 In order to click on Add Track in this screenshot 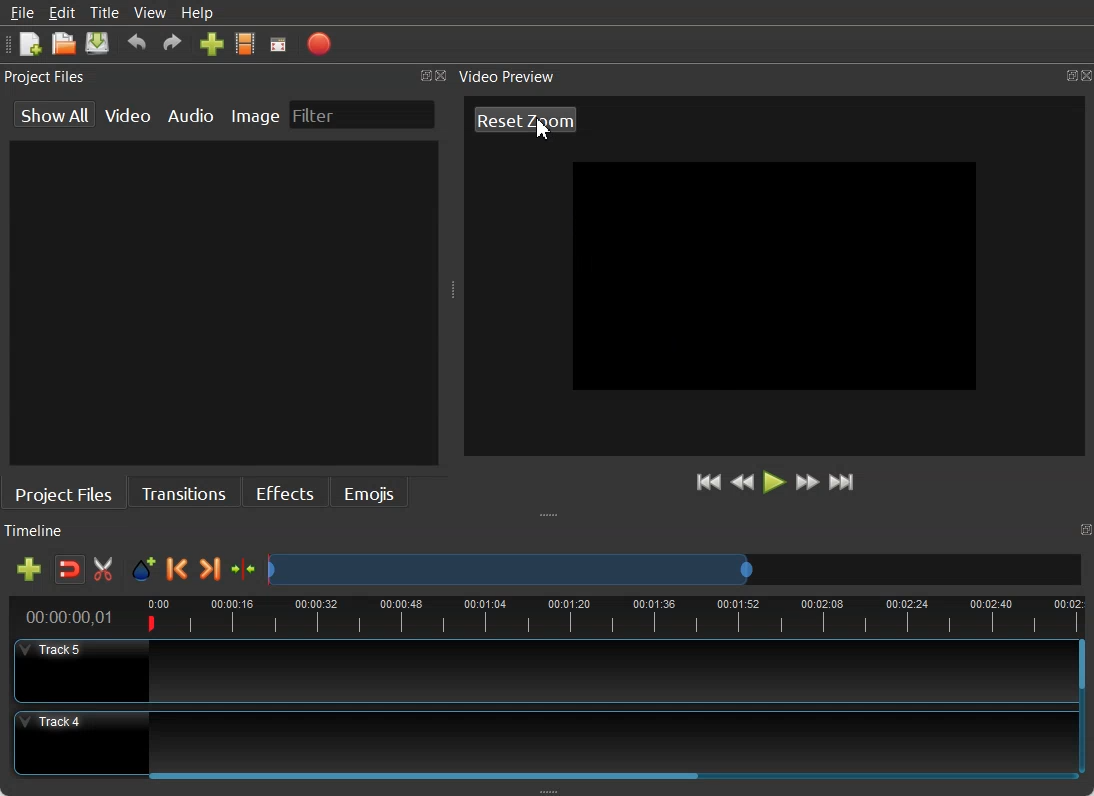, I will do `click(29, 569)`.